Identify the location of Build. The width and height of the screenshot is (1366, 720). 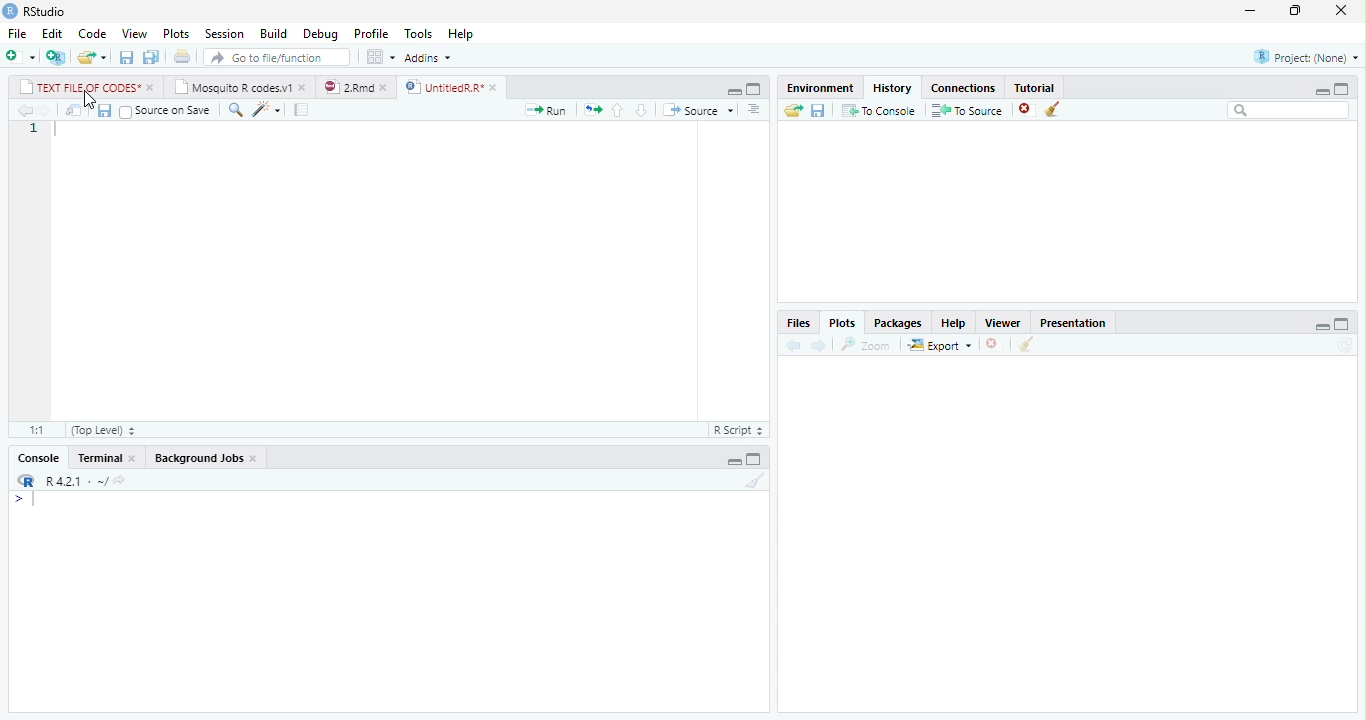
(274, 34).